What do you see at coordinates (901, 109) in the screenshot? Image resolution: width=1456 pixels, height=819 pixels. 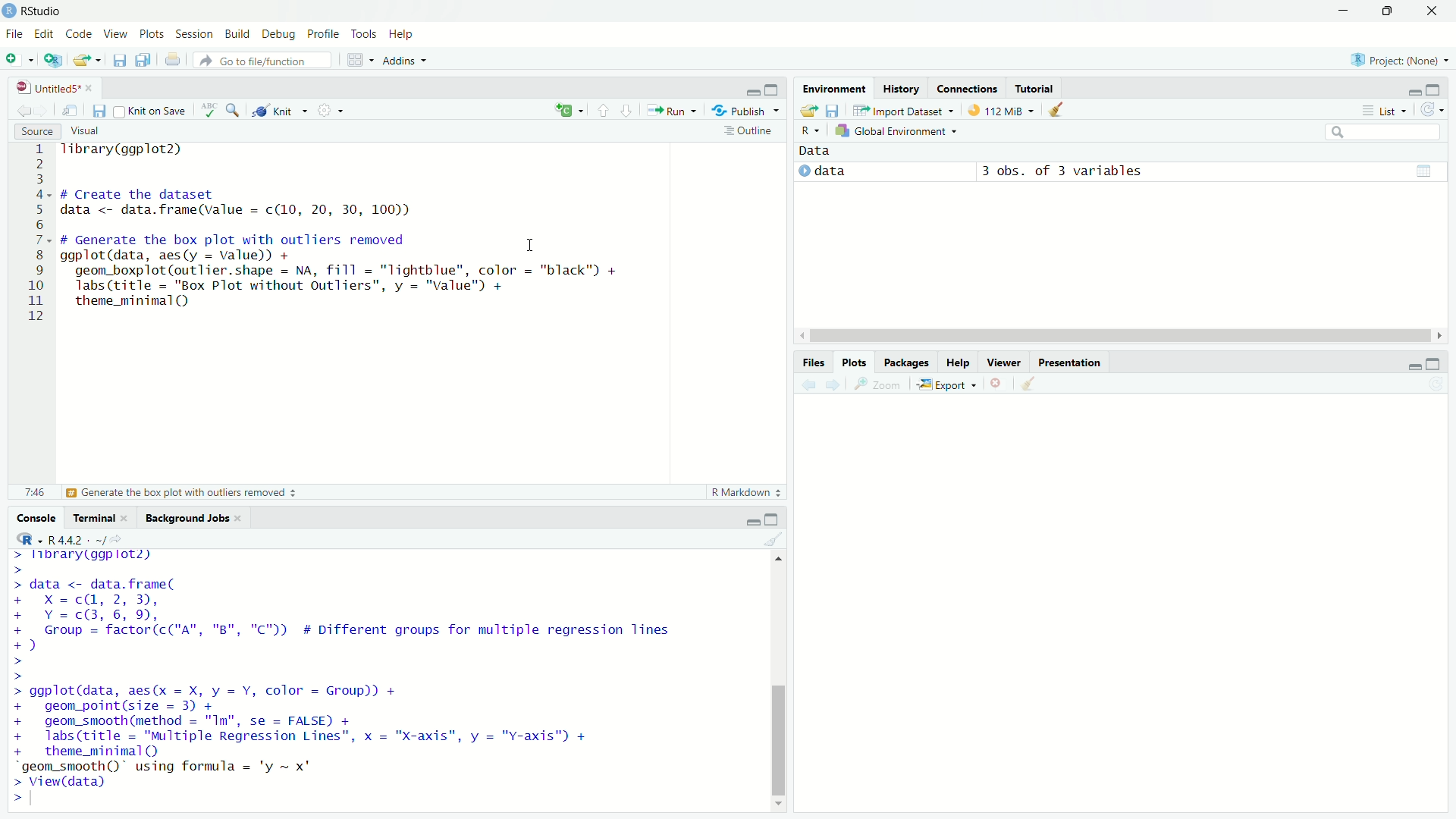 I see `import Dataset` at bounding box center [901, 109].